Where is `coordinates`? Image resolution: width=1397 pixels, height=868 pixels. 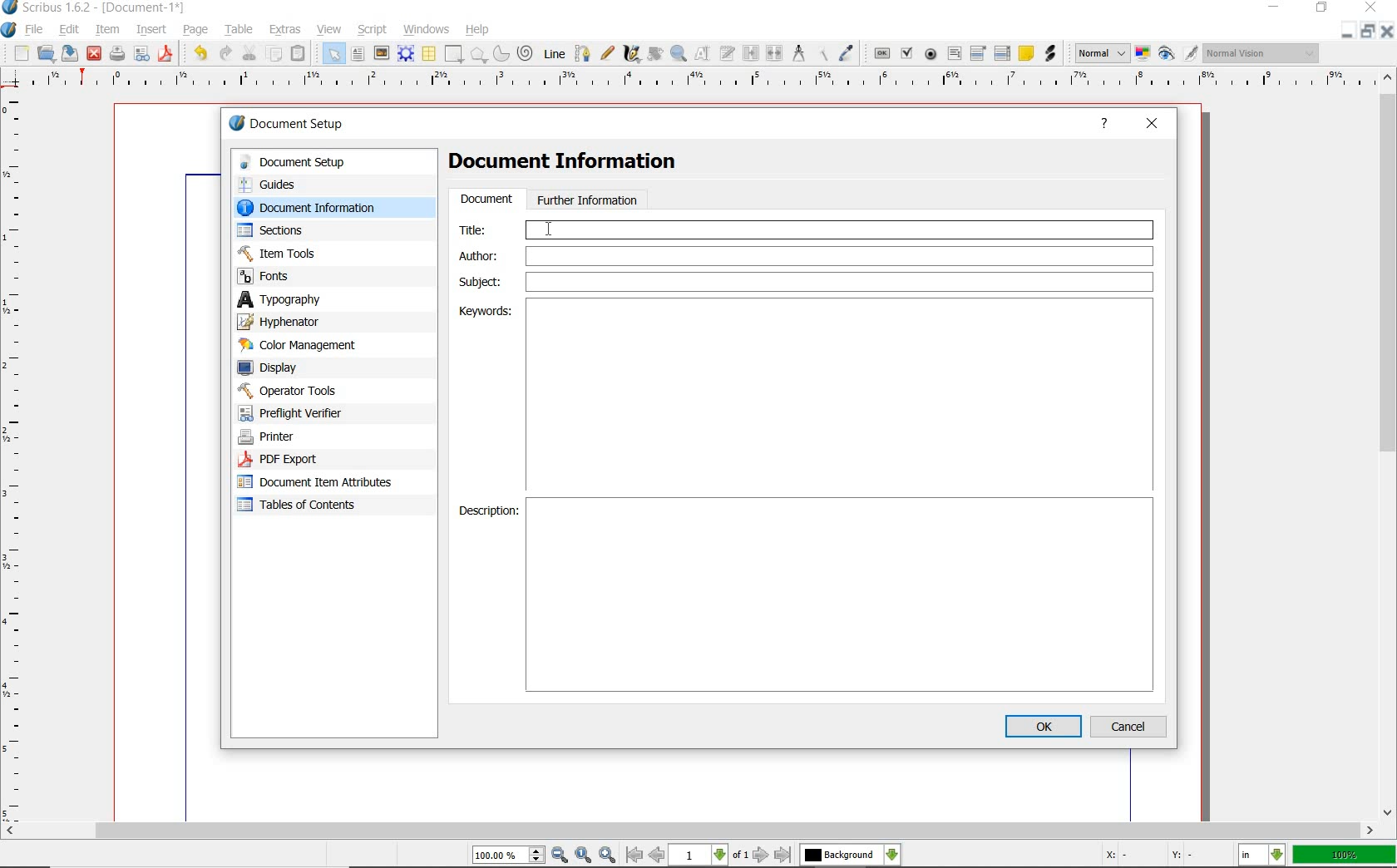
coordinates is located at coordinates (1147, 856).